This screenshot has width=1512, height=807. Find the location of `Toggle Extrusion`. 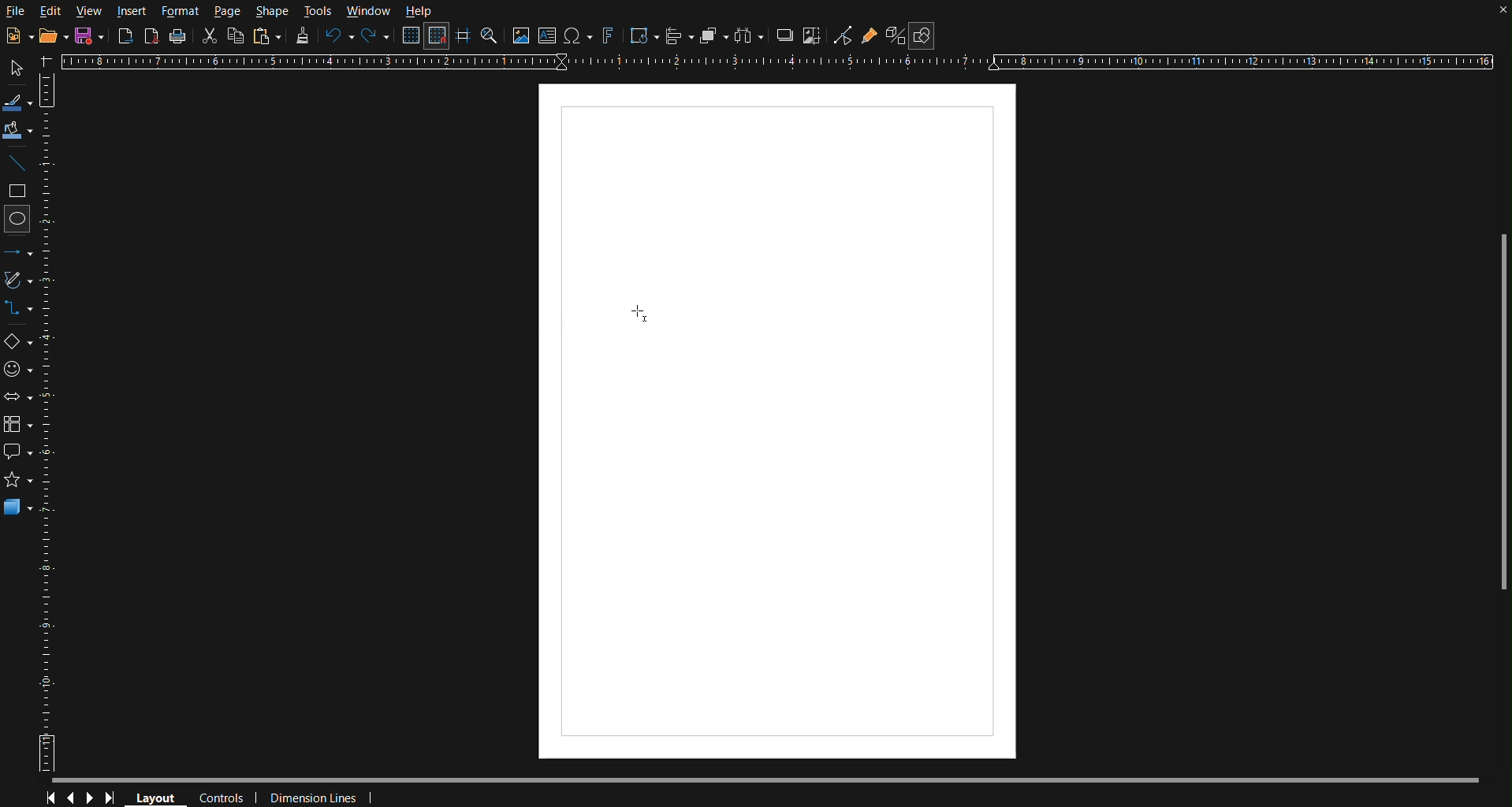

Toggle Extrusion is located at coordinates (895, 36).